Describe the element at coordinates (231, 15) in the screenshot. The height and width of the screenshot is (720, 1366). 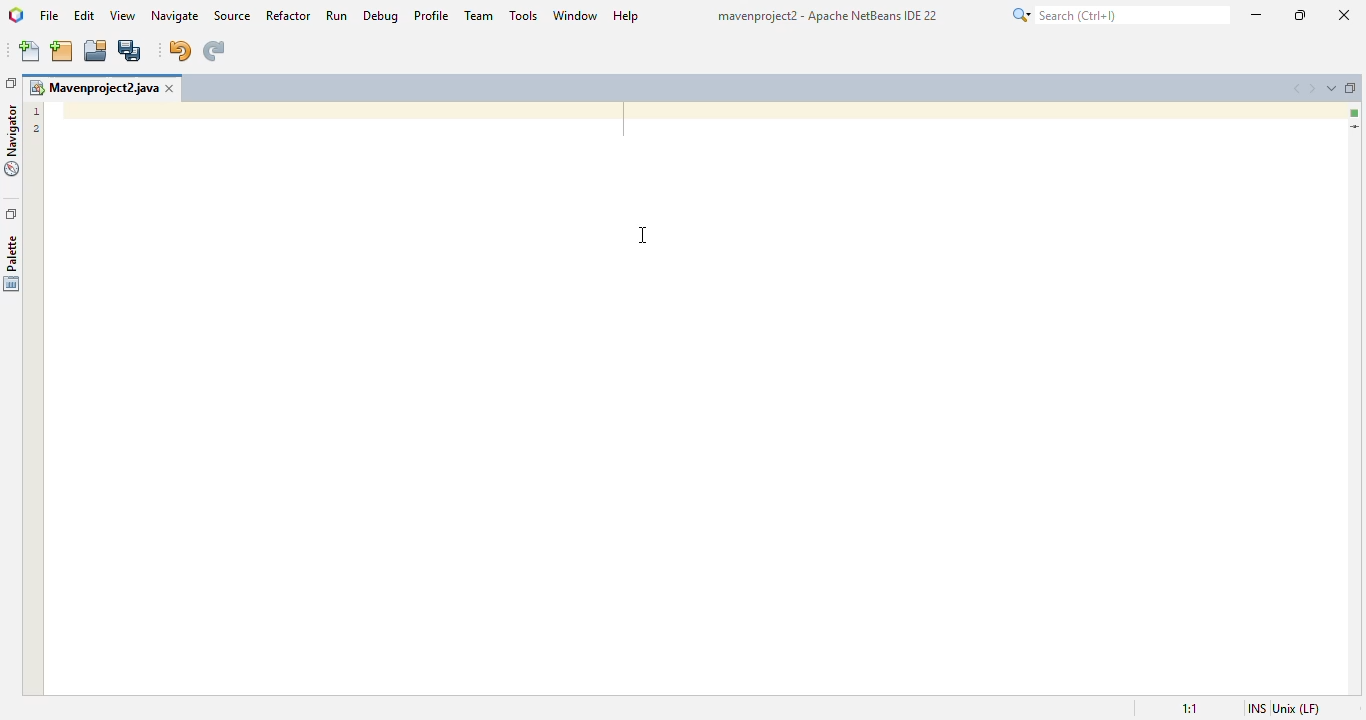
I see `source` at that location.